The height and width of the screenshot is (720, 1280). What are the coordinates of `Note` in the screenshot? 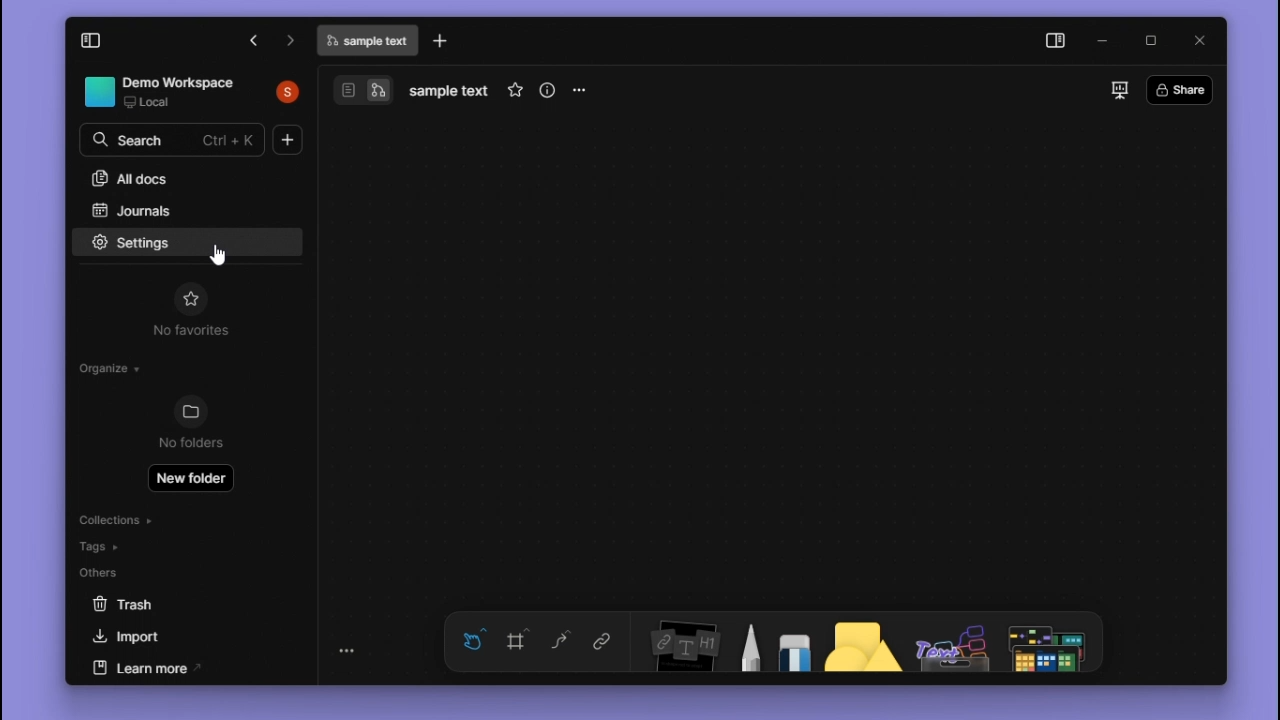 It's located at (677, 642).